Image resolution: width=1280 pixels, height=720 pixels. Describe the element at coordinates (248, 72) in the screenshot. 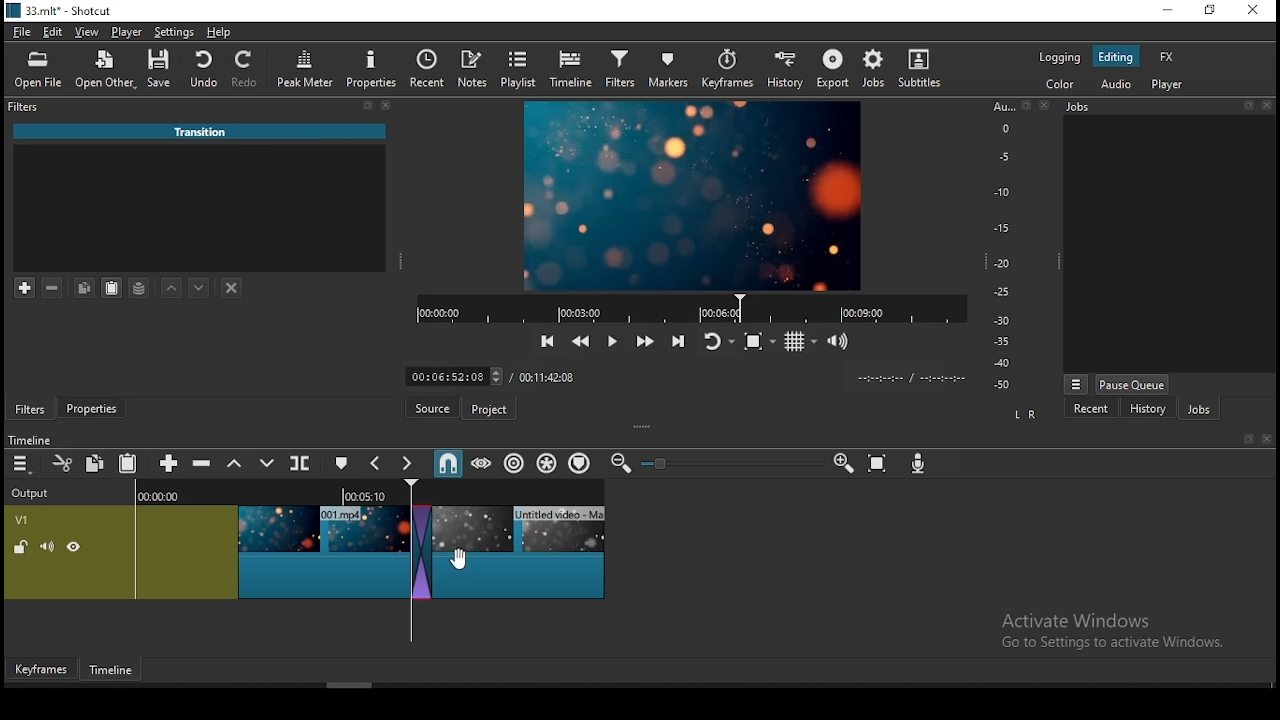

I see `redo` at that location.